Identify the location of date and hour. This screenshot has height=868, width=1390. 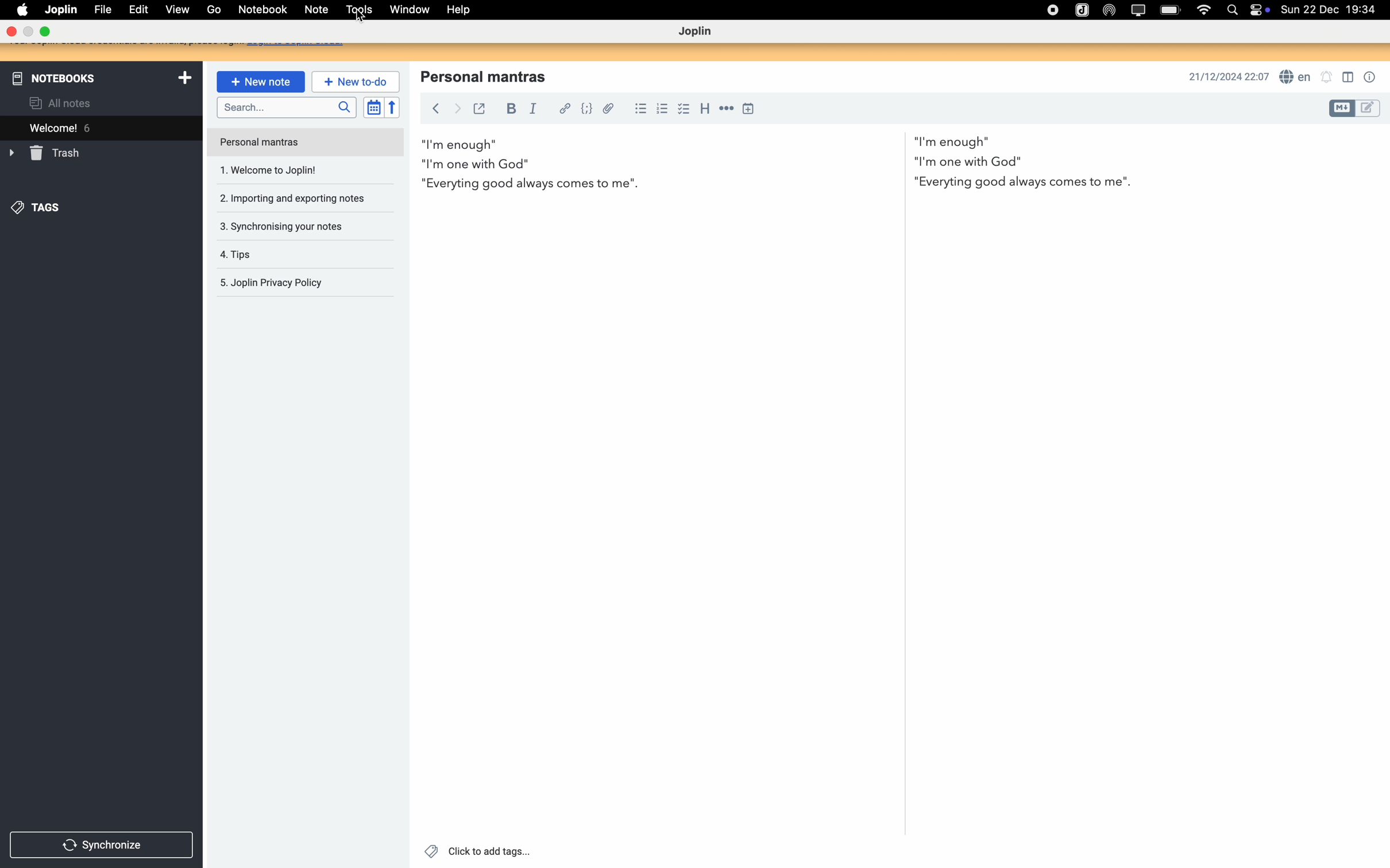
(1333, 9).